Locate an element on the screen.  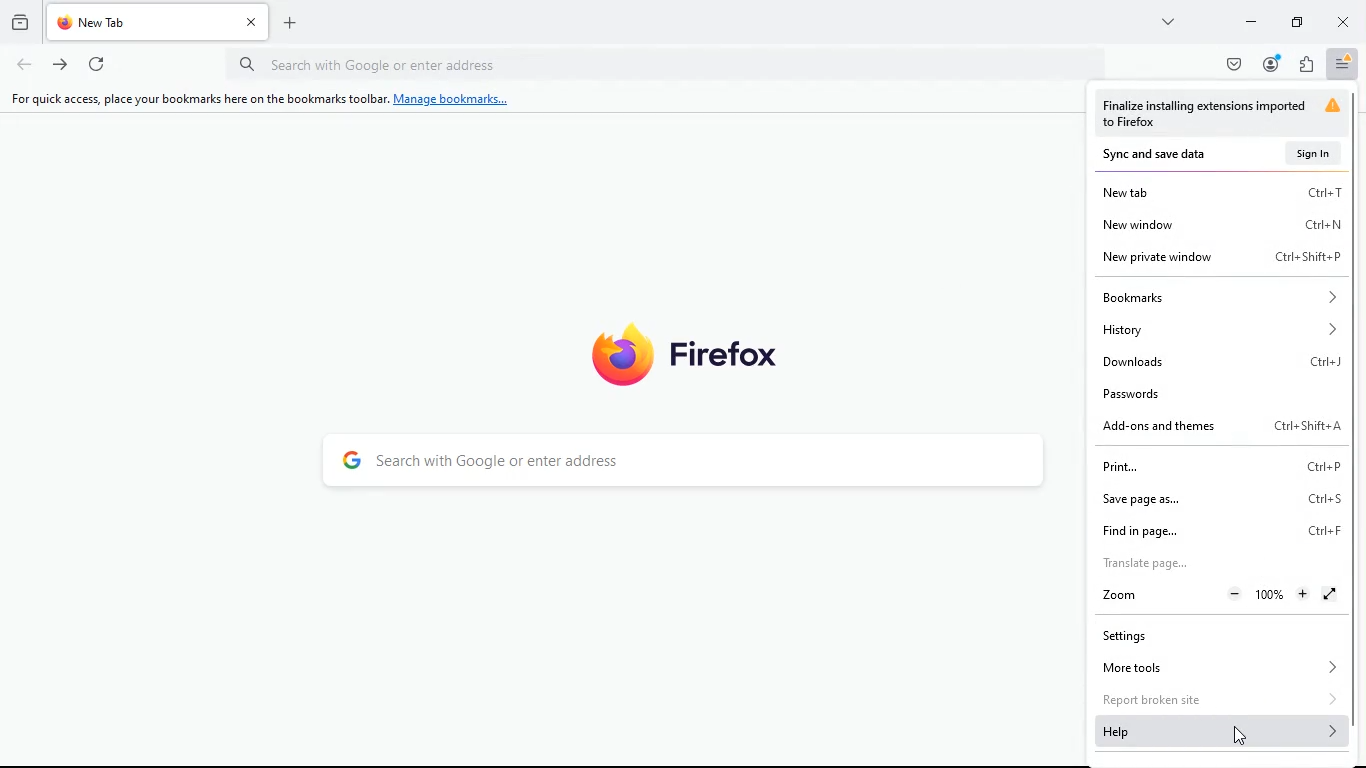
sign in is located at coordinates (1316, 153).